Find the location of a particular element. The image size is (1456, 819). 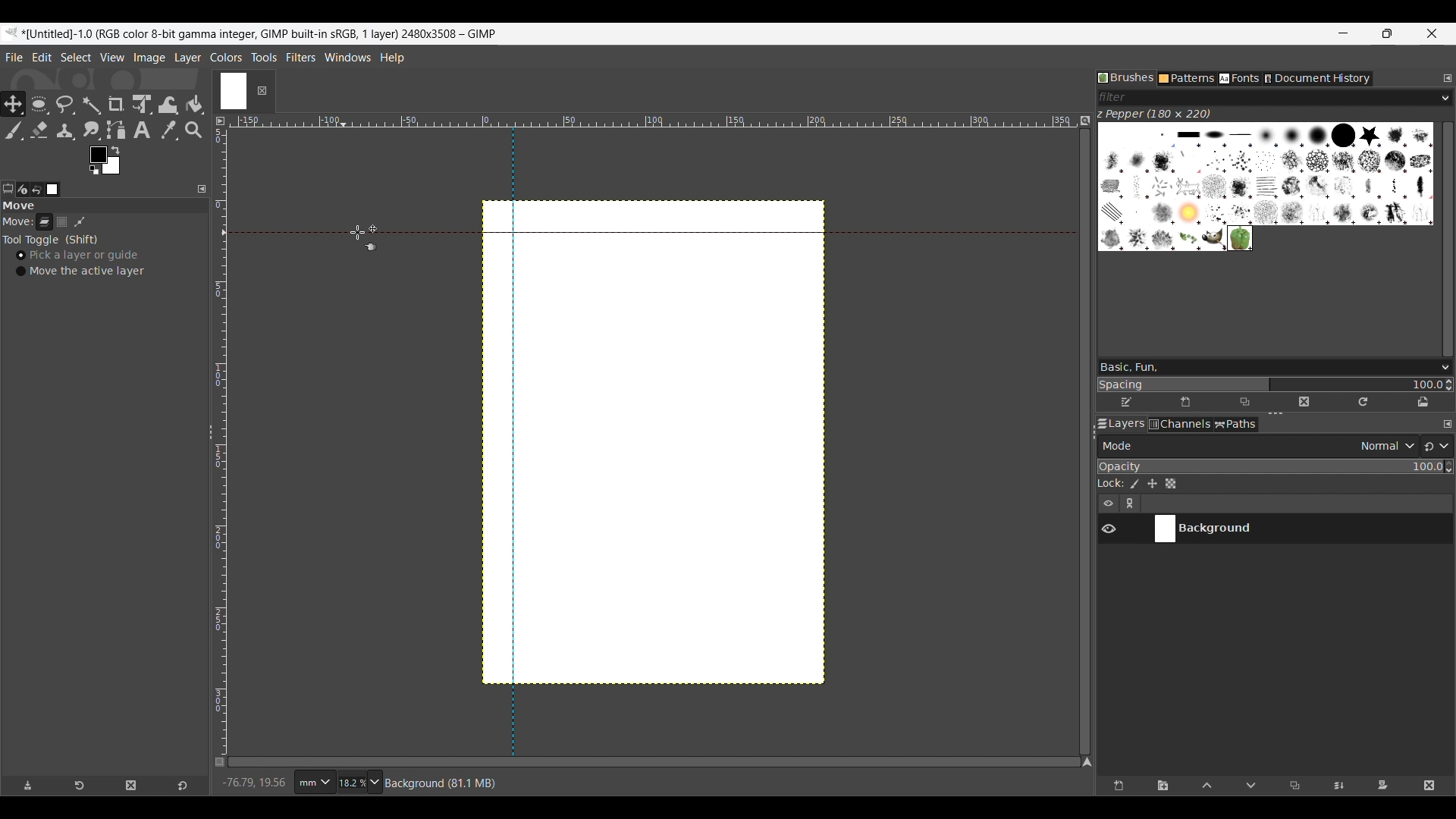

Change width of panels attached to this line is located at coordinates (1069, 432).